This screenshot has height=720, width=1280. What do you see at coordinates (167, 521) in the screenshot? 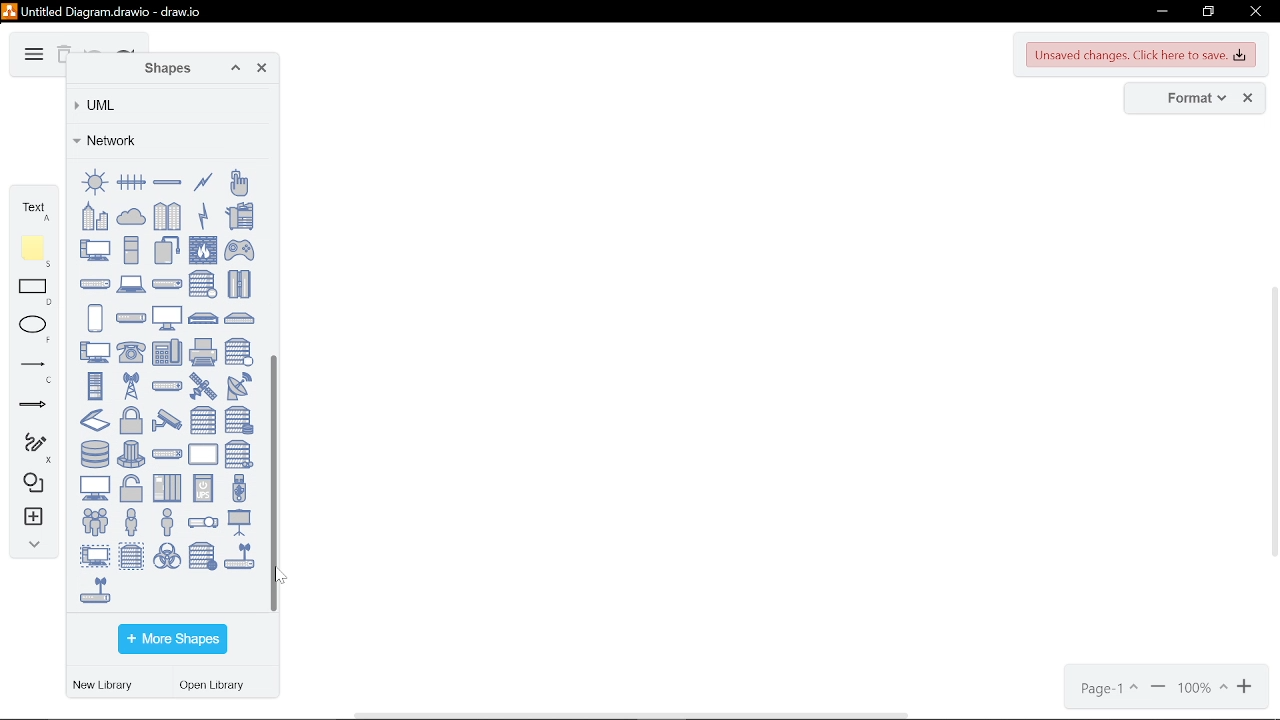
I see `user male` at bounding box center [167, 521].